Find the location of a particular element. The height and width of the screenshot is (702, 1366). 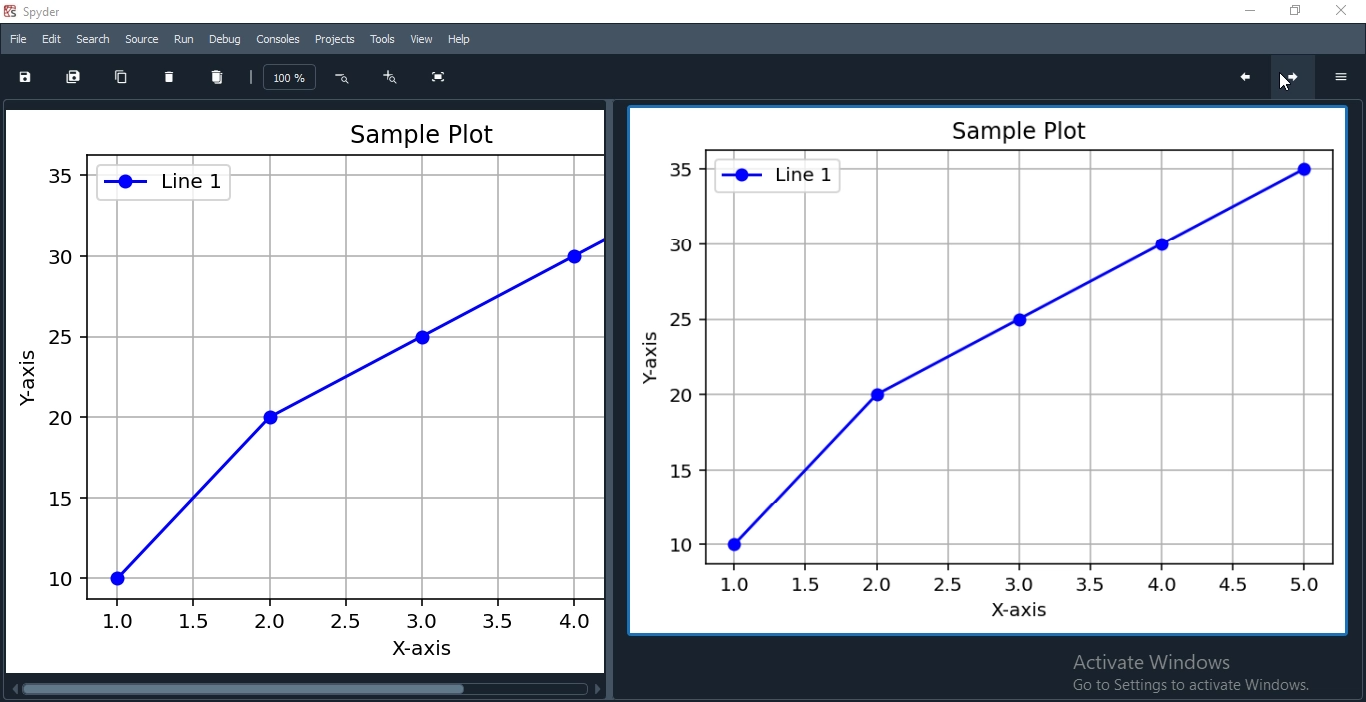

options is located at coordinates (1340, 75).